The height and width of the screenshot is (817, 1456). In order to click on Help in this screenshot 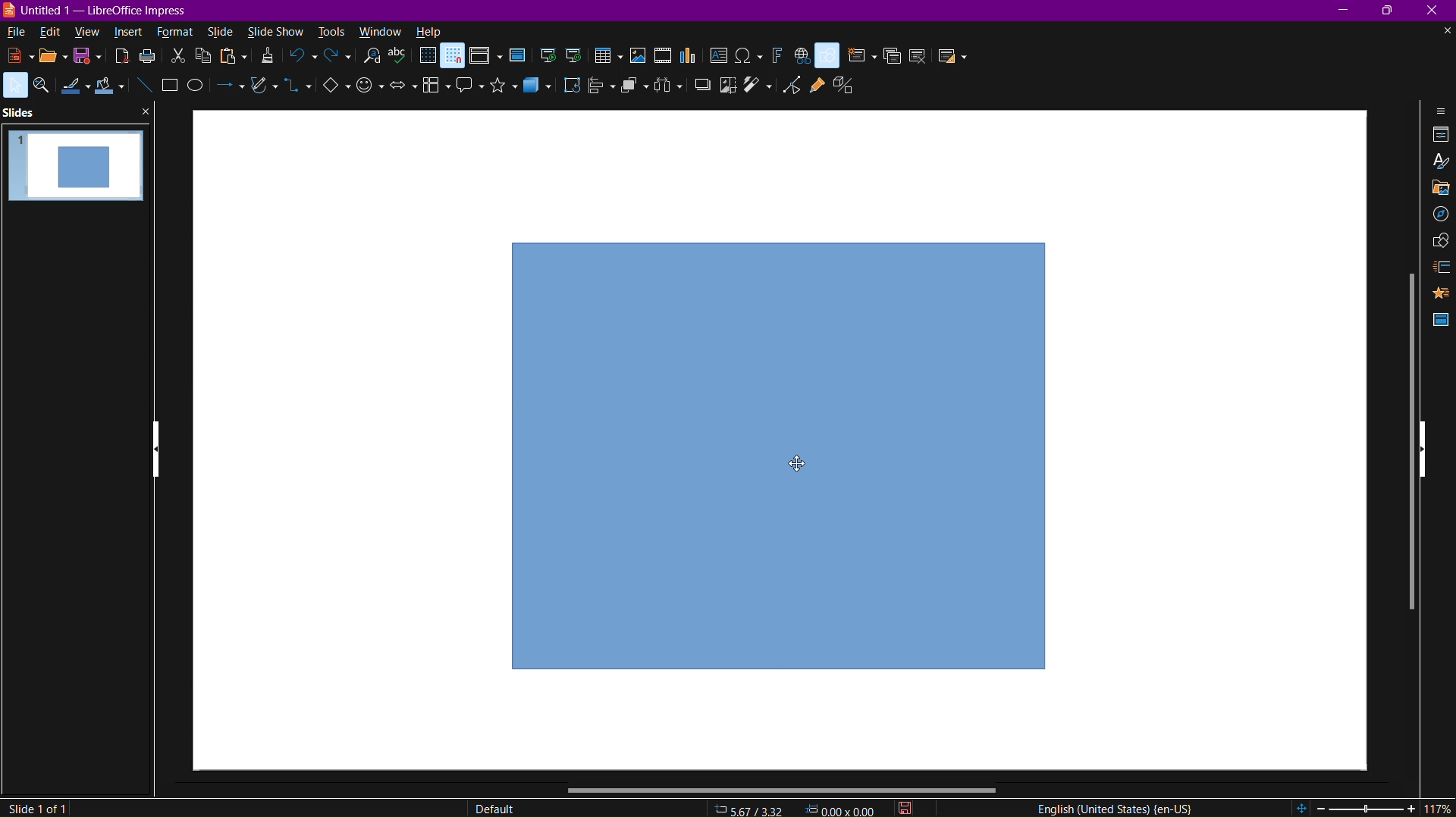, I will do `click(429, 32)`.